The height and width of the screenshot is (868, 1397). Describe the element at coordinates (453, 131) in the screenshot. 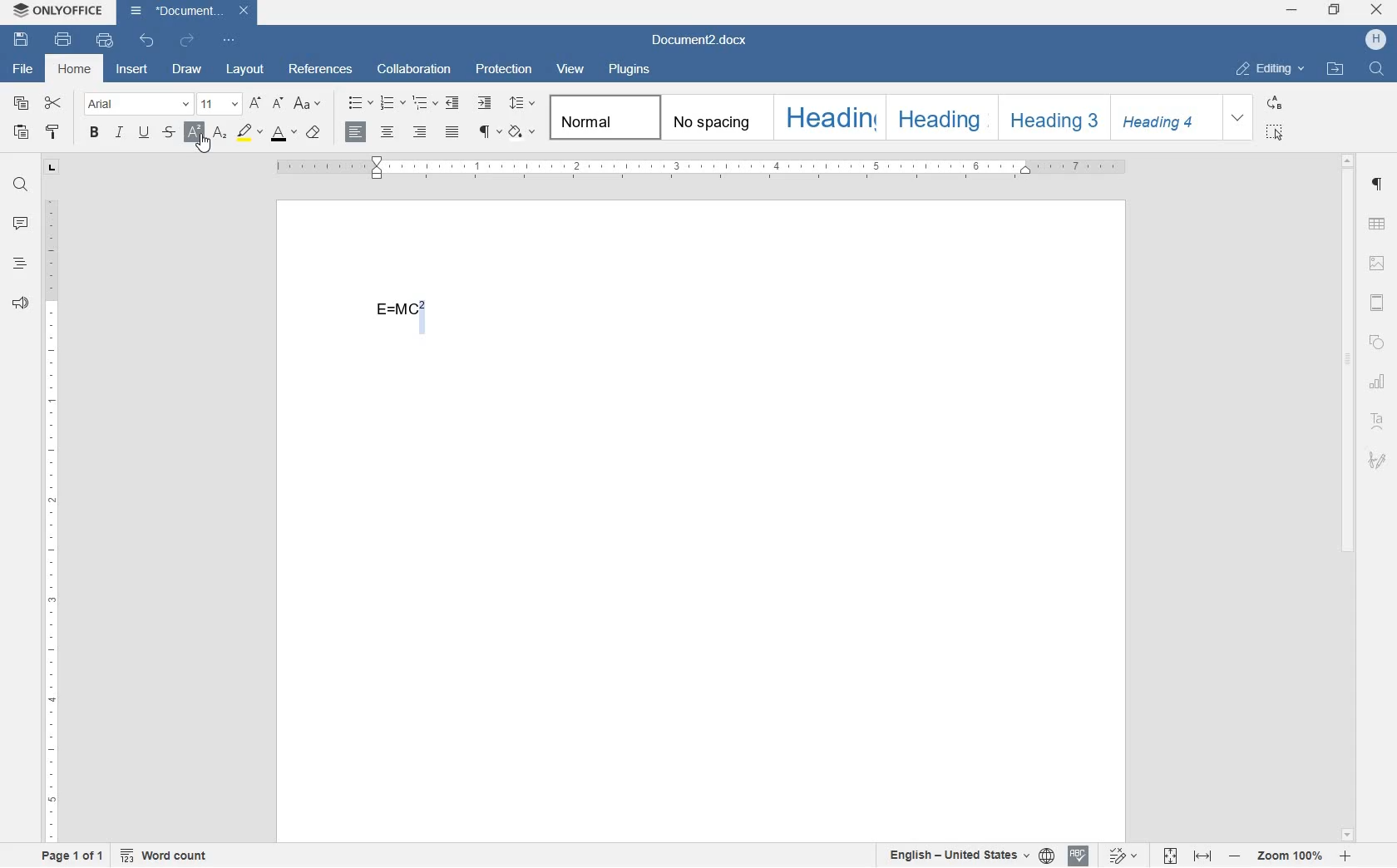

I see `justified` at that location.